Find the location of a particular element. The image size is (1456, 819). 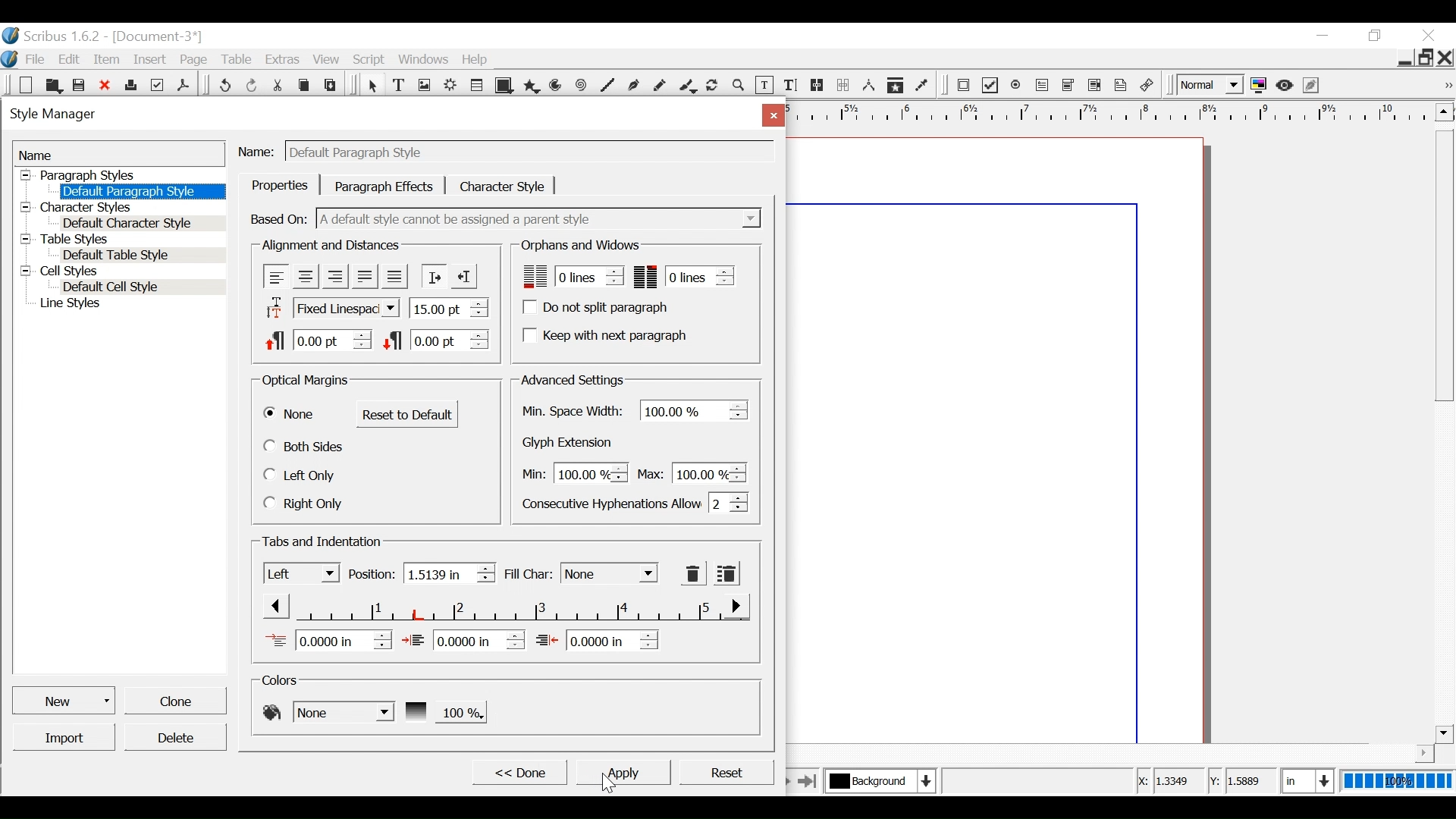

Render frame is located at coordinates (451, 86).